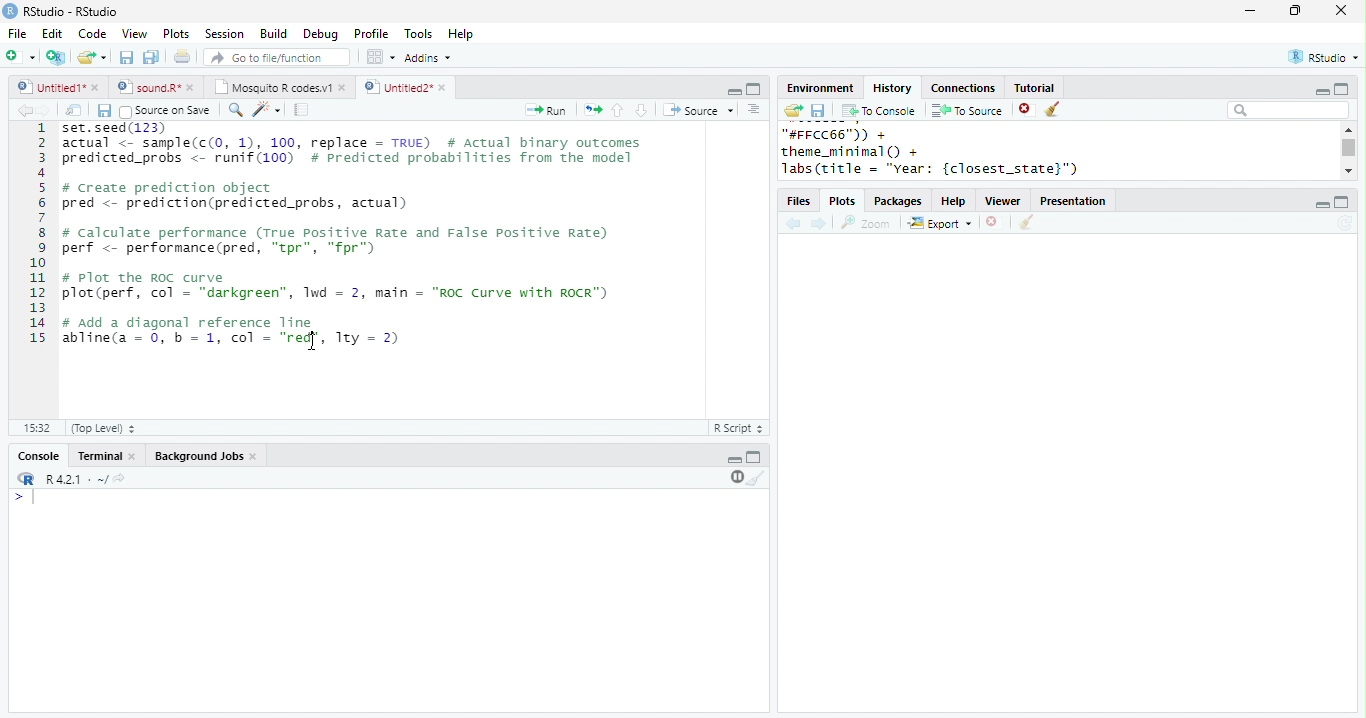 The height and width of the screenshot is (718, 1366). Describe the element at coordinates (1073, 201) in the screenshot. I see `Presentation` at that location.